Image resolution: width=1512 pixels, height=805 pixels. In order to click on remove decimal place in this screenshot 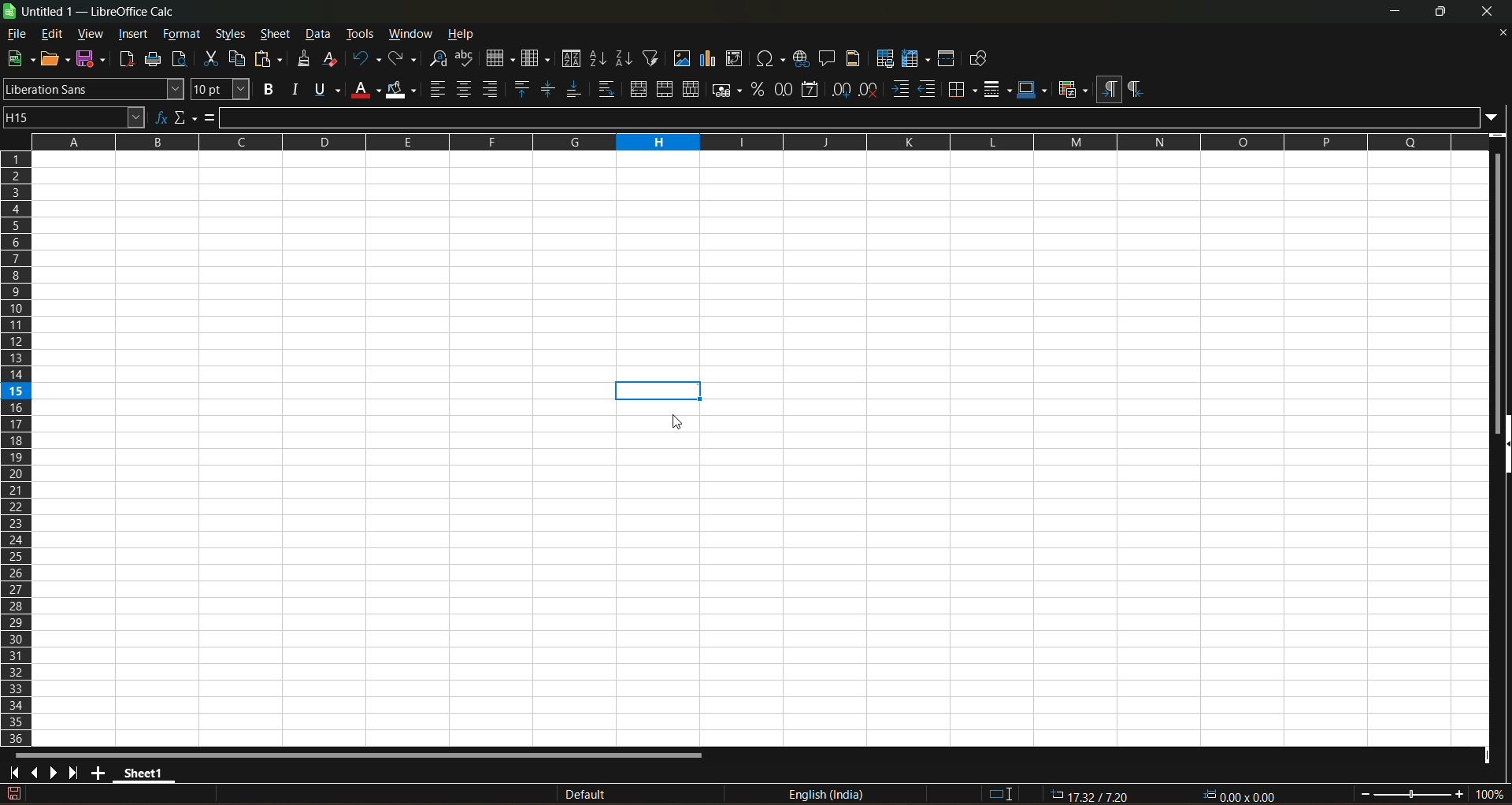, I will do `click(870, 90)`.